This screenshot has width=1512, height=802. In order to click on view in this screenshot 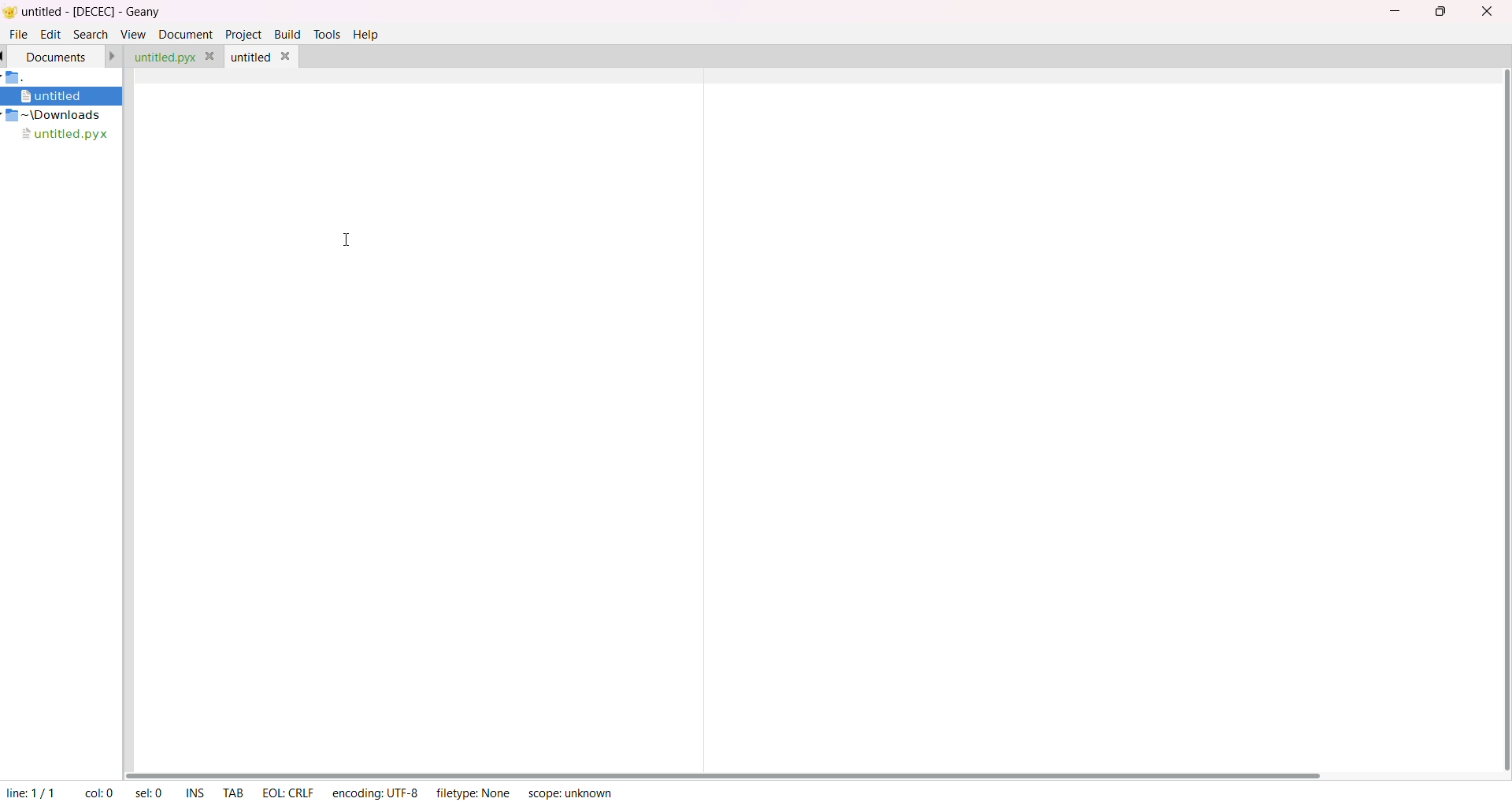, I will do `click(134, 34)`.